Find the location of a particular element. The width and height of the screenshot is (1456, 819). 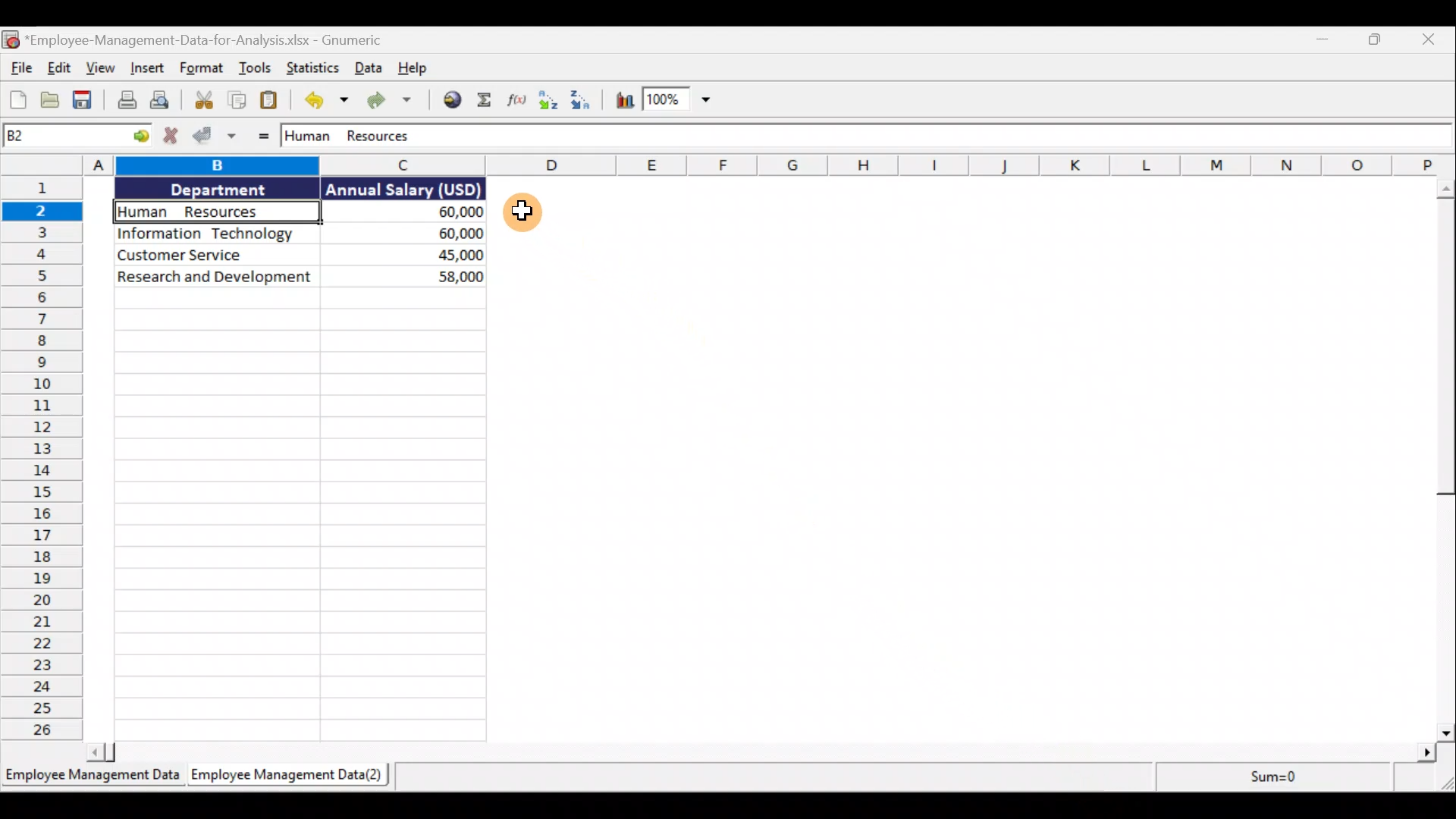

Print the current file is located at coordinates (123, 102).